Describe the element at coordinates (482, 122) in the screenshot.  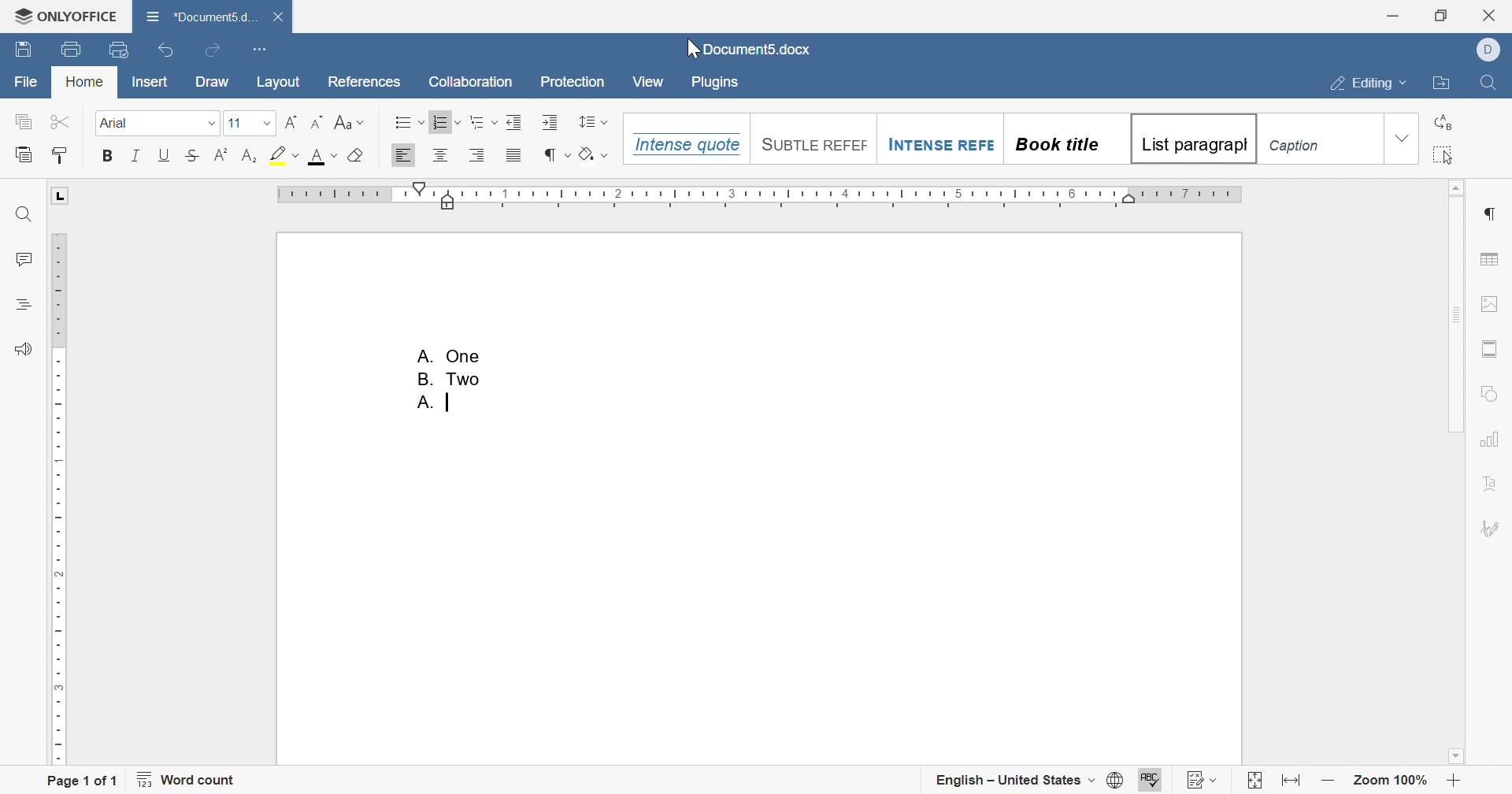
I see `Multilevel list` at that location.